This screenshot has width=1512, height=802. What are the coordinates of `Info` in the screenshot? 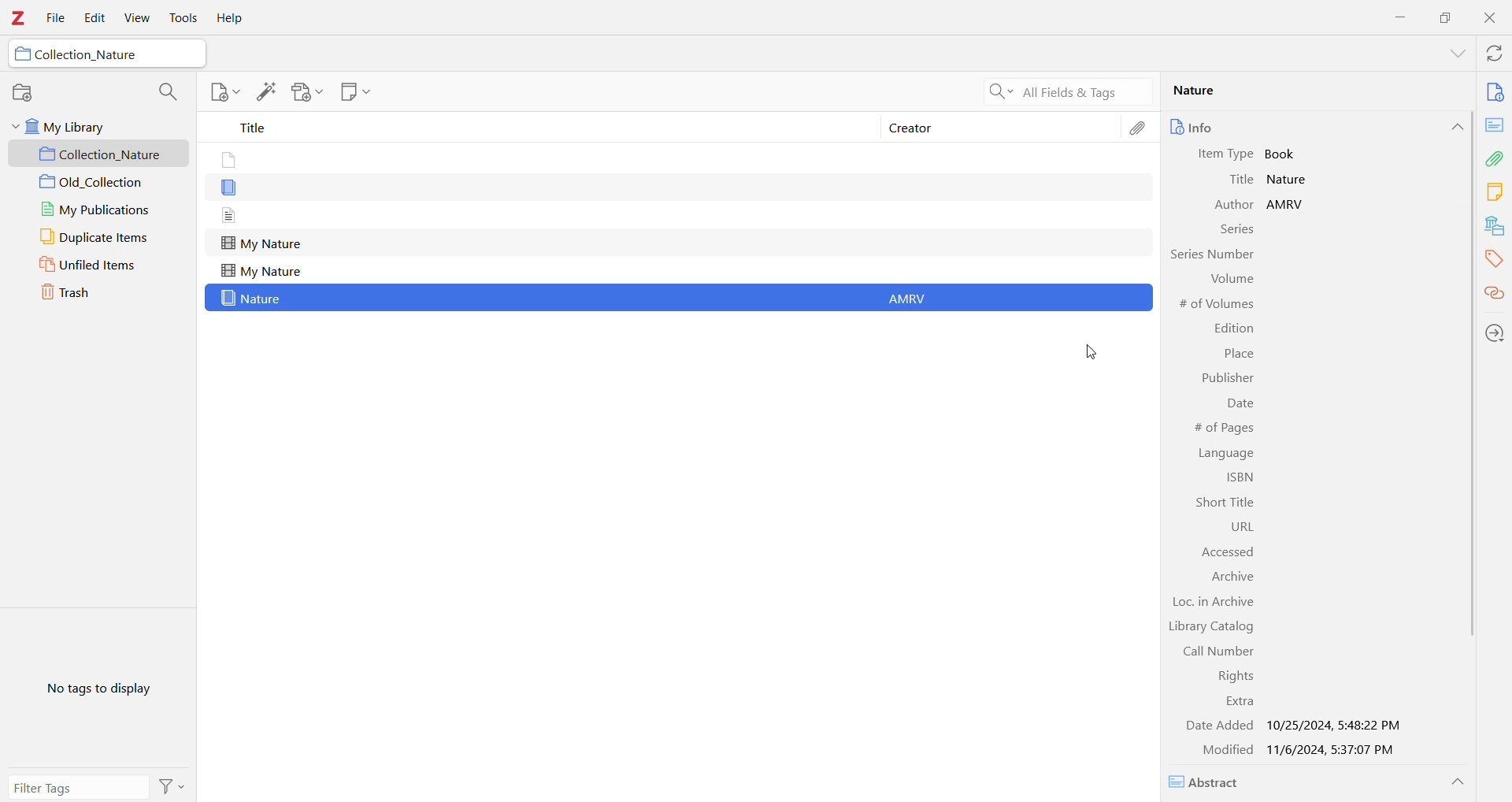 It's located at (1495, 94).